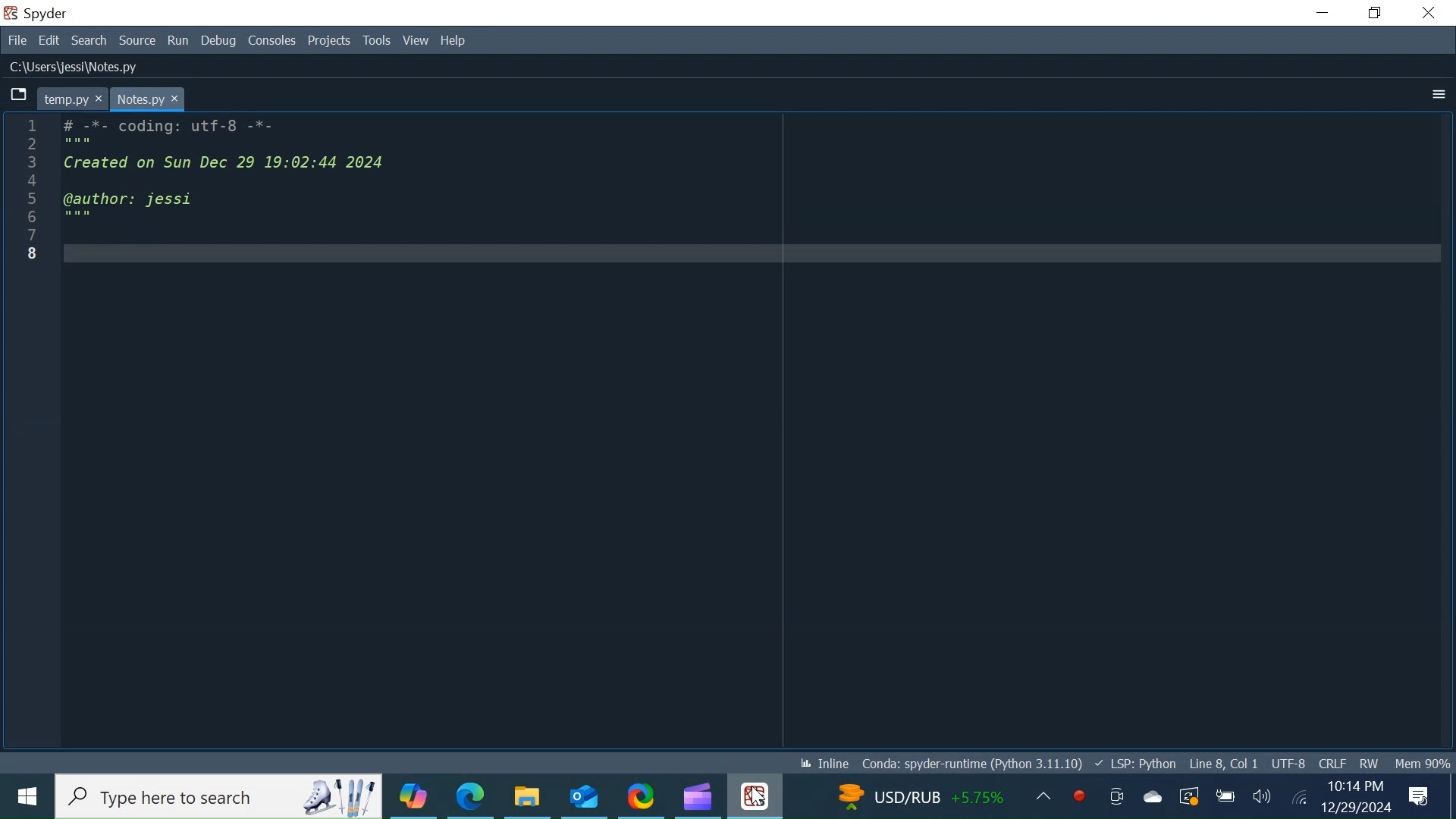 The width and height of the screenshot is (1456, 819). What do you see at coordinates (330, 39) in the screenshot?
I see `Projects` at bounding box center [330, 39].